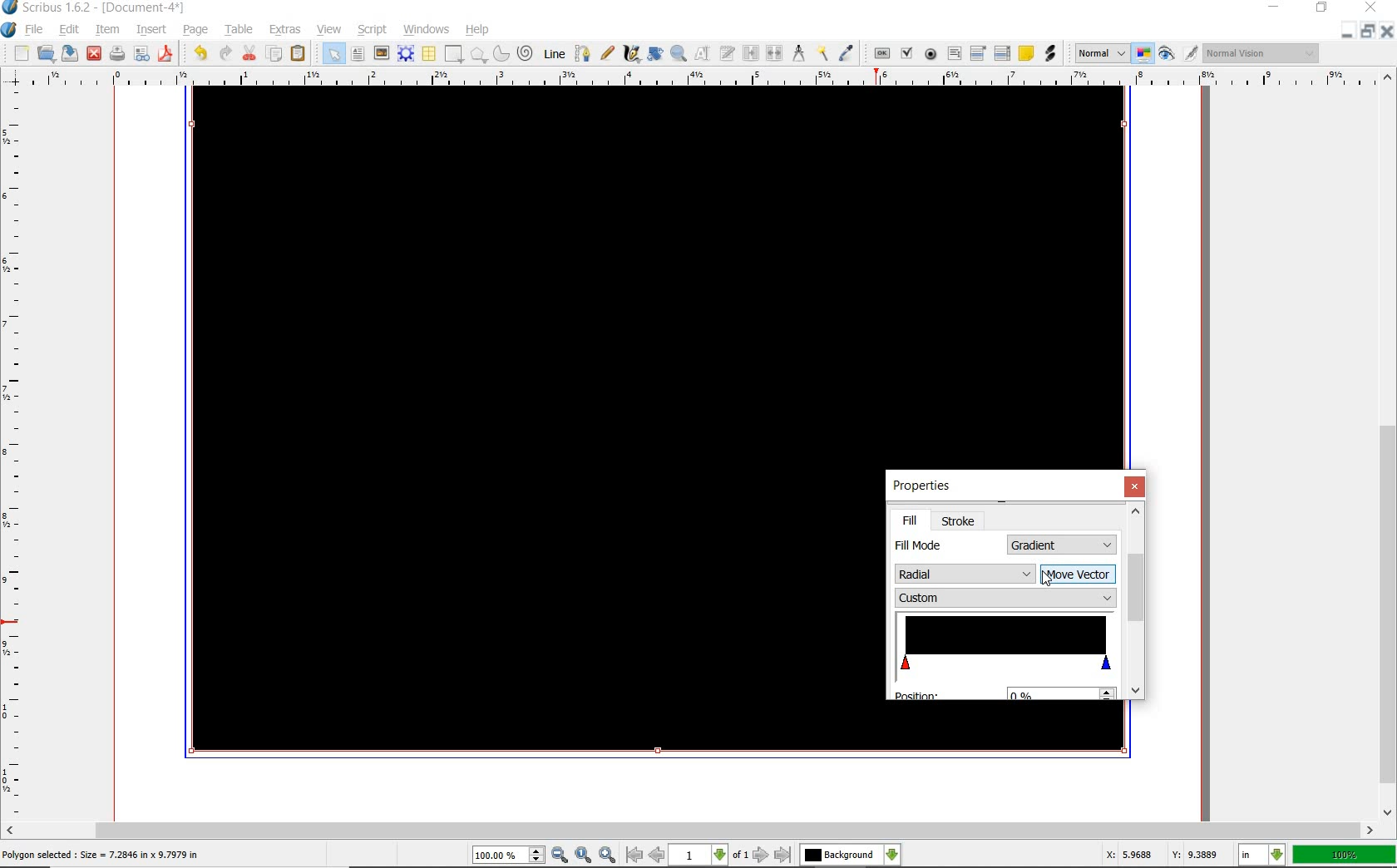 The width and height of the screenshot is (1397, 868). I want to click on text annotation, so click(1026, 53).